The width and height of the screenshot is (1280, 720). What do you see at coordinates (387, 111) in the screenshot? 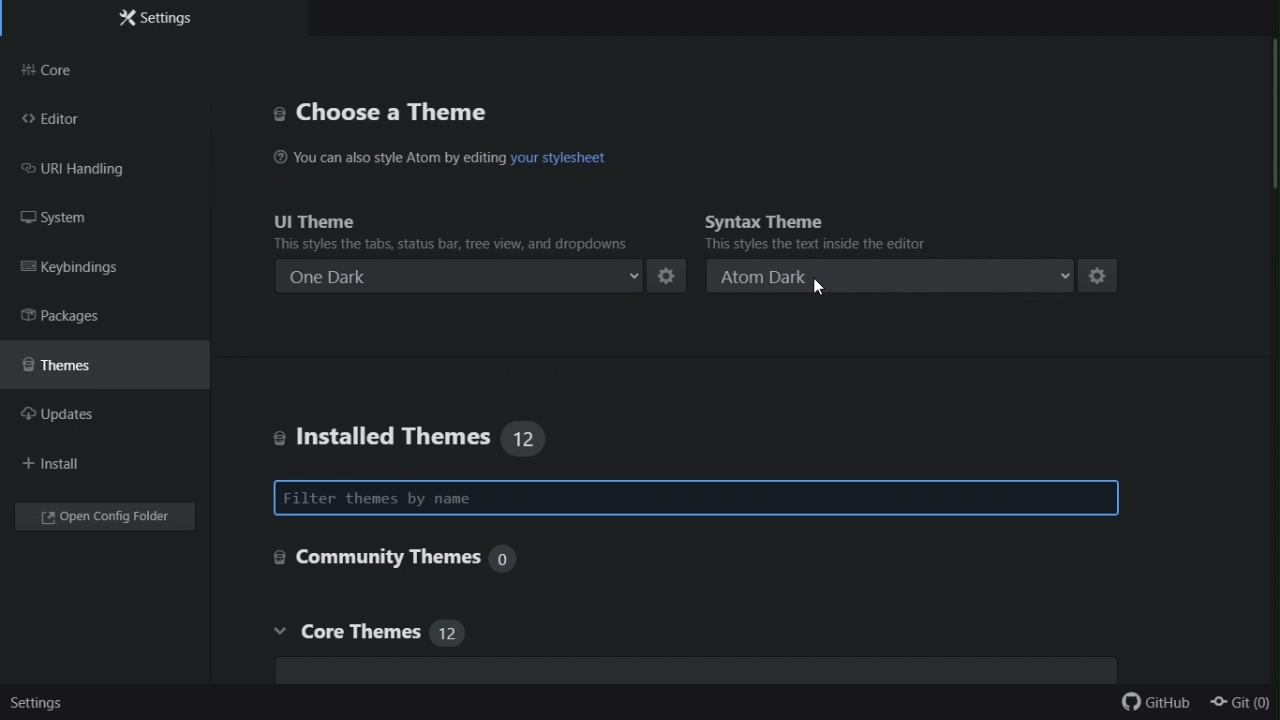
I see `Choose a thing` at bounding box center [387, 111].